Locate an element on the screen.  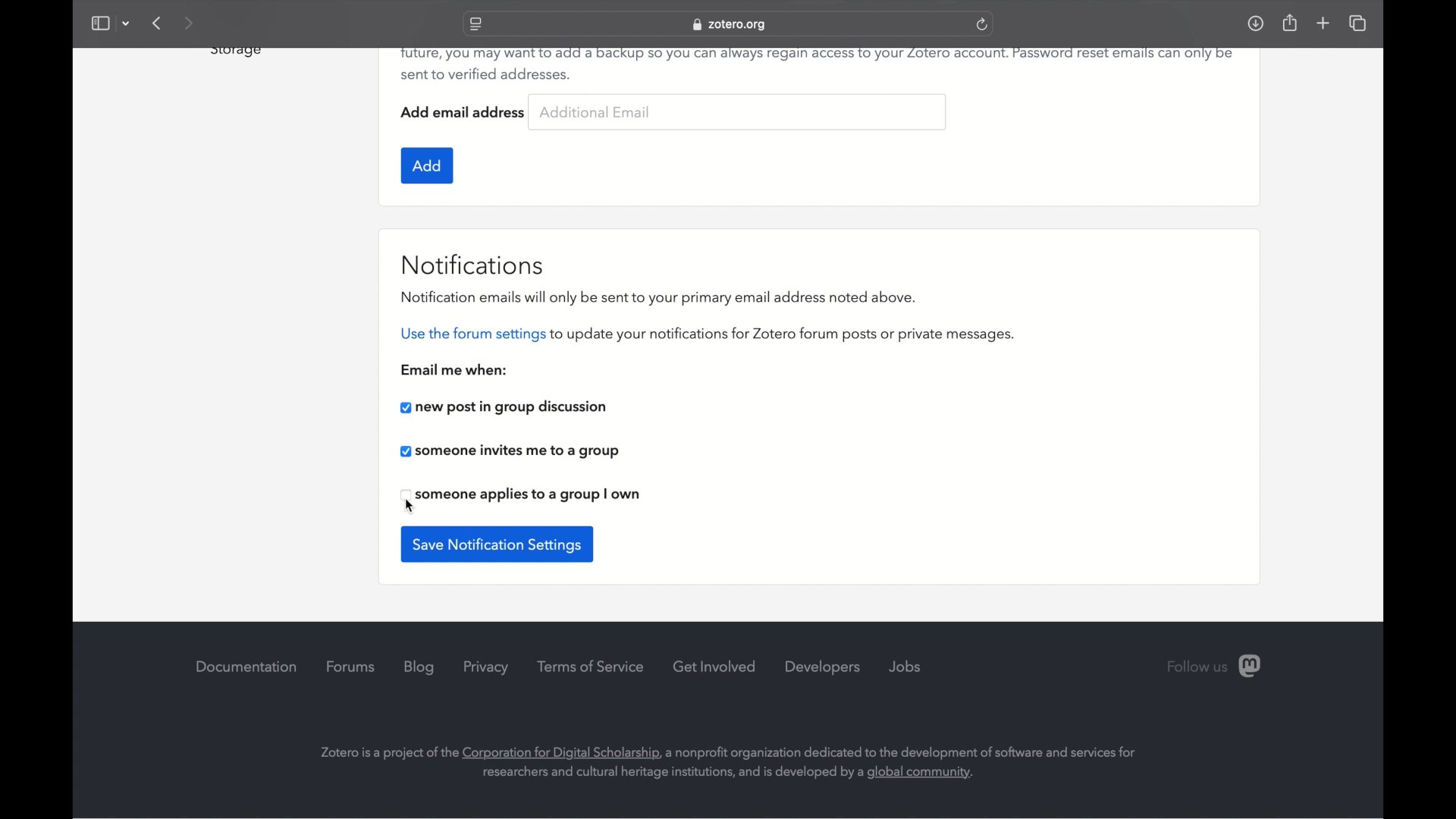
website settings is located at coordinates (475, 25).